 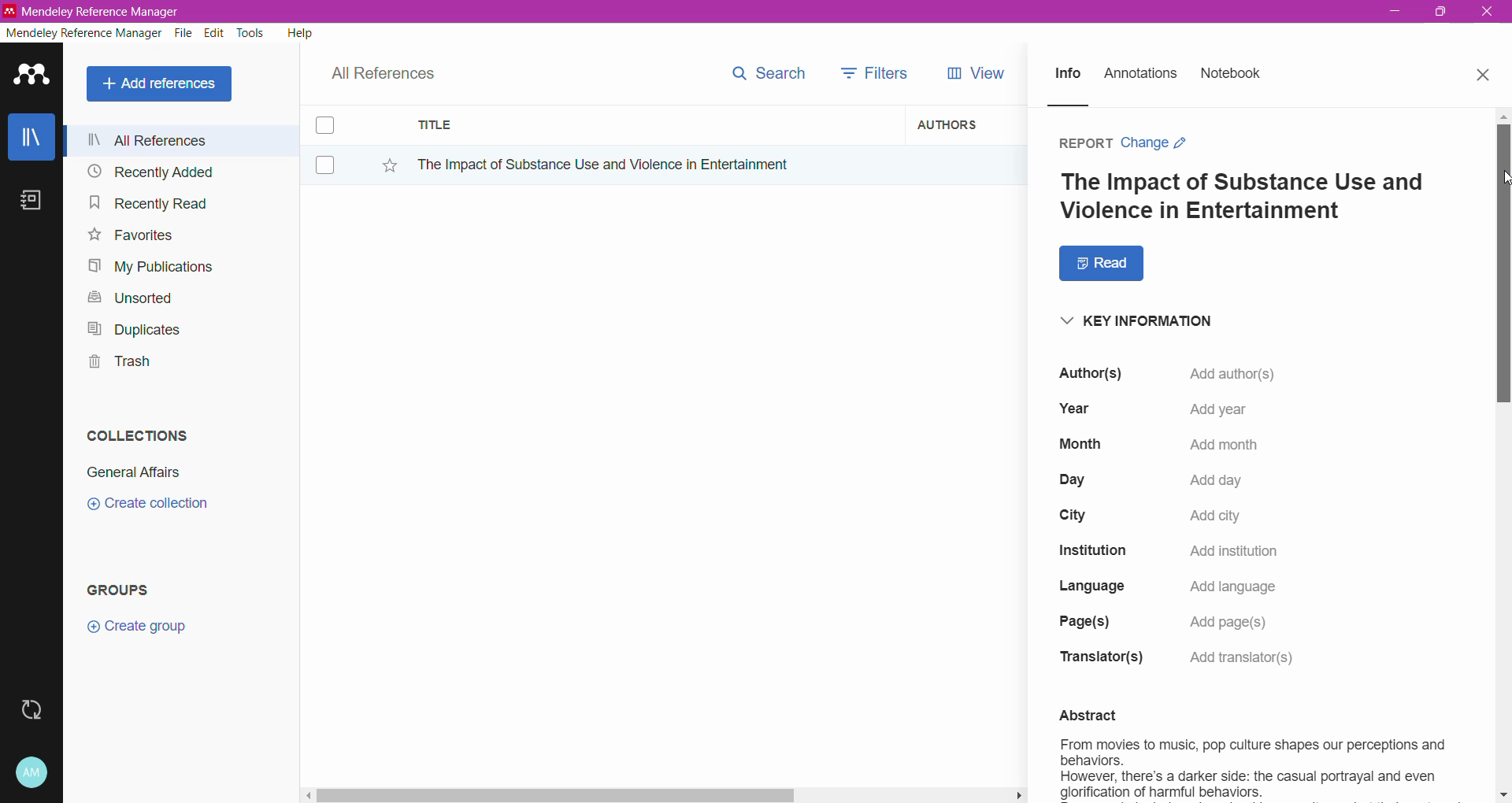 What do you see at coordinates (1193, 409) in the screenshot?
I see `year` at bounding box center [1193, 409].